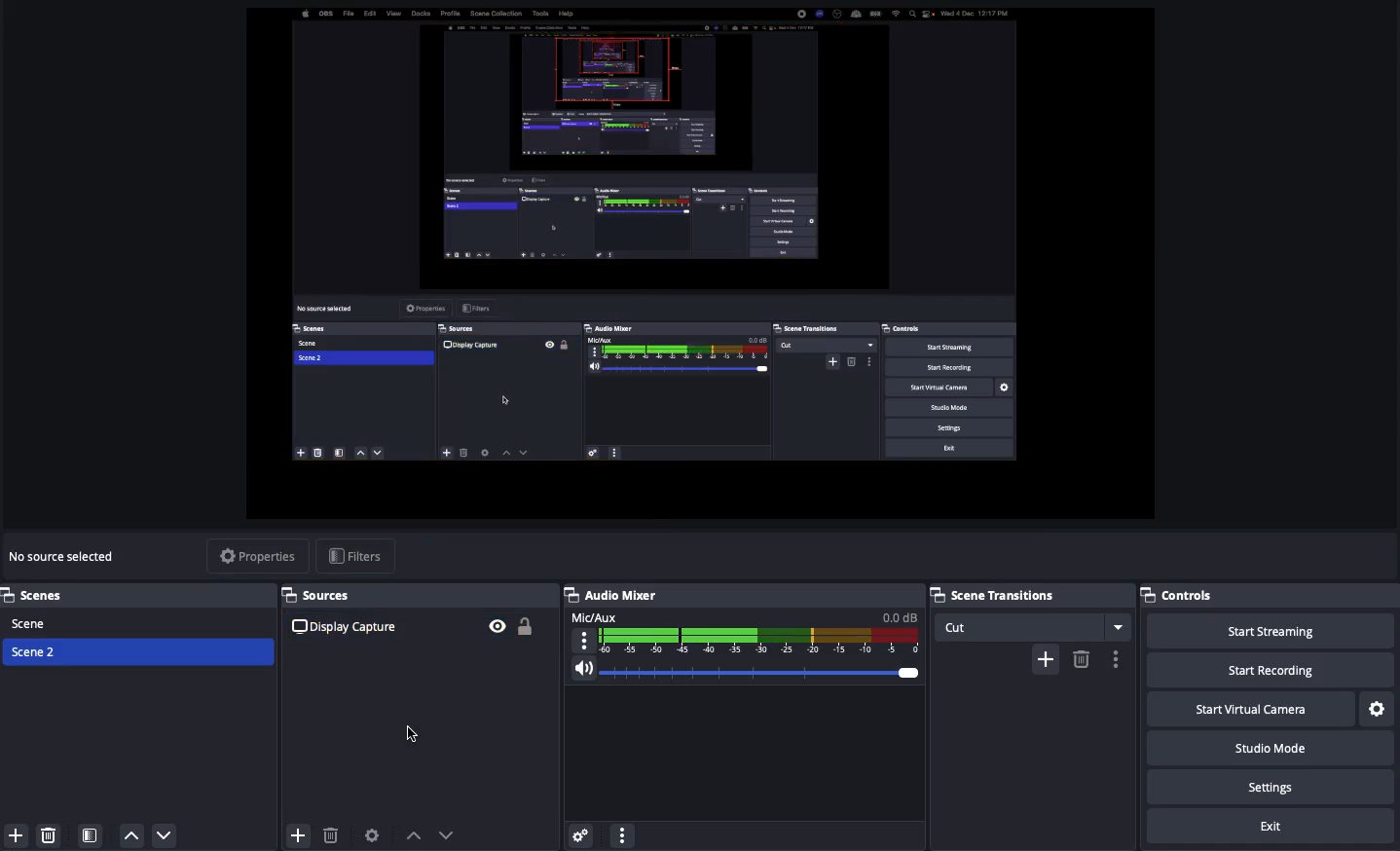 This screenshot has height=851, width=1400. Describe the element at coordinates (91, 834) in the screenshot. I see `Scene filter` at that location.